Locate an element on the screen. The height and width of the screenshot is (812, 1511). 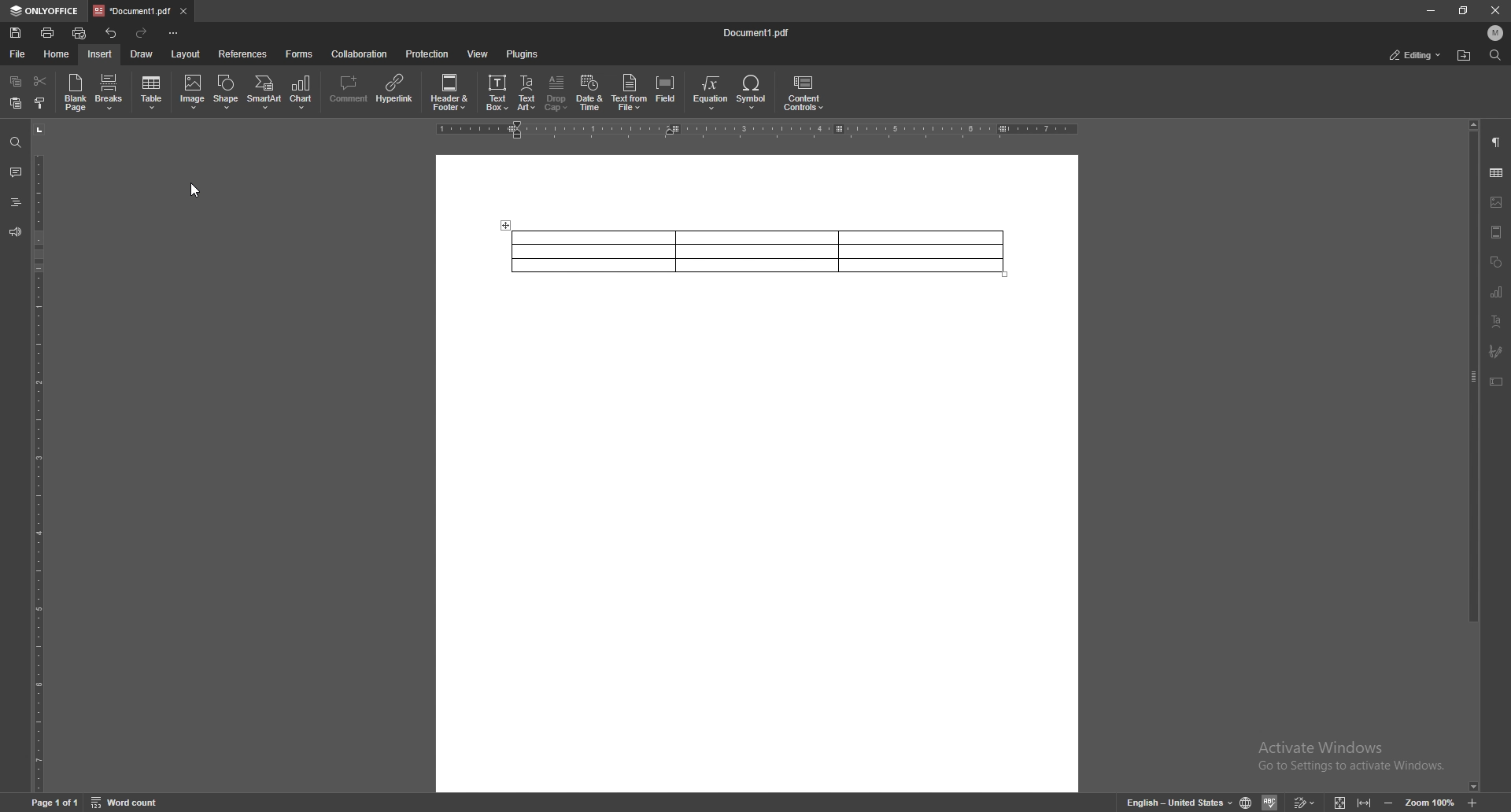
header is located at coordinates (1498, 234).